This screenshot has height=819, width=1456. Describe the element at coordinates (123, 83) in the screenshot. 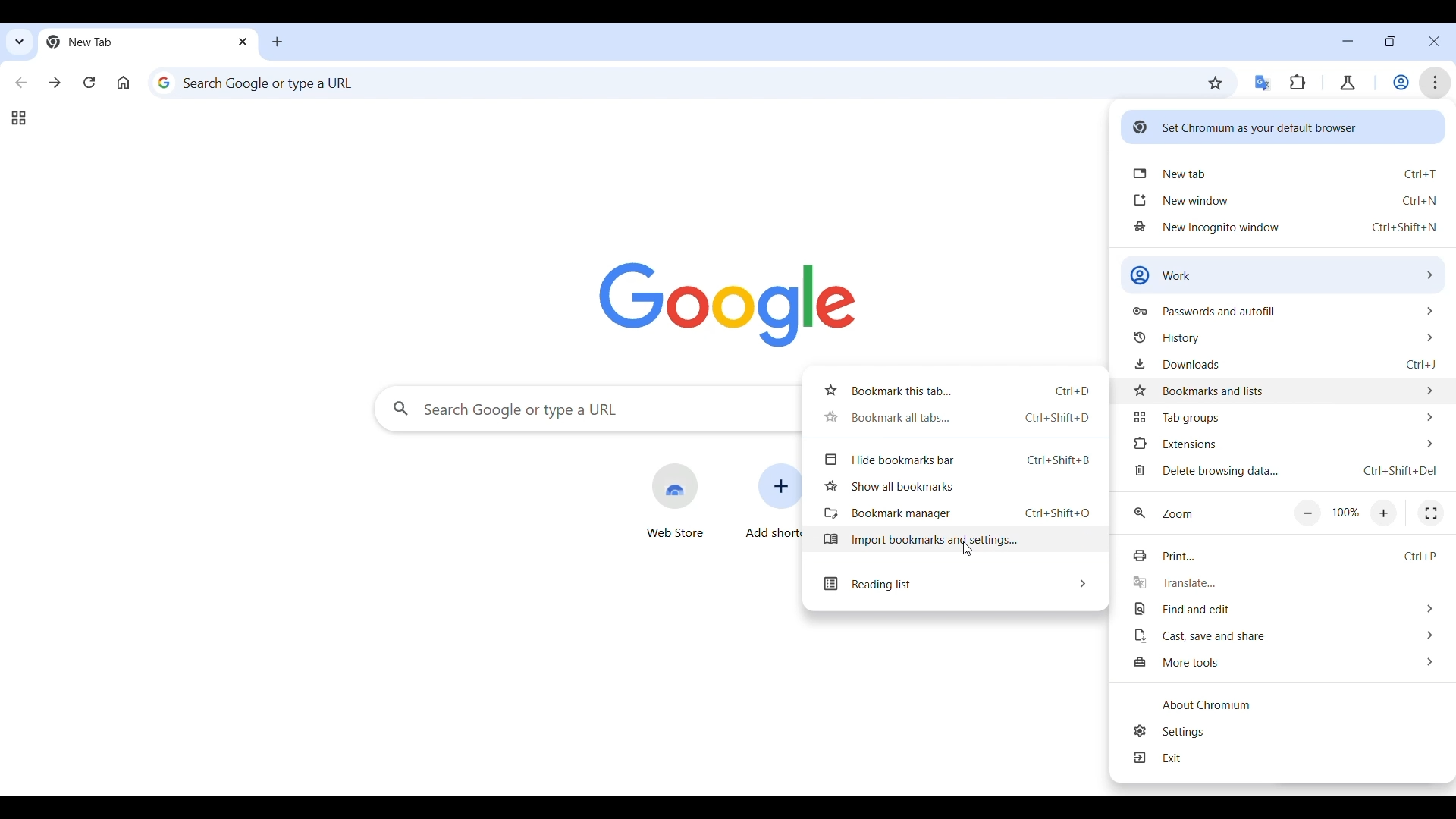

I see `Go to homepage` at that location.